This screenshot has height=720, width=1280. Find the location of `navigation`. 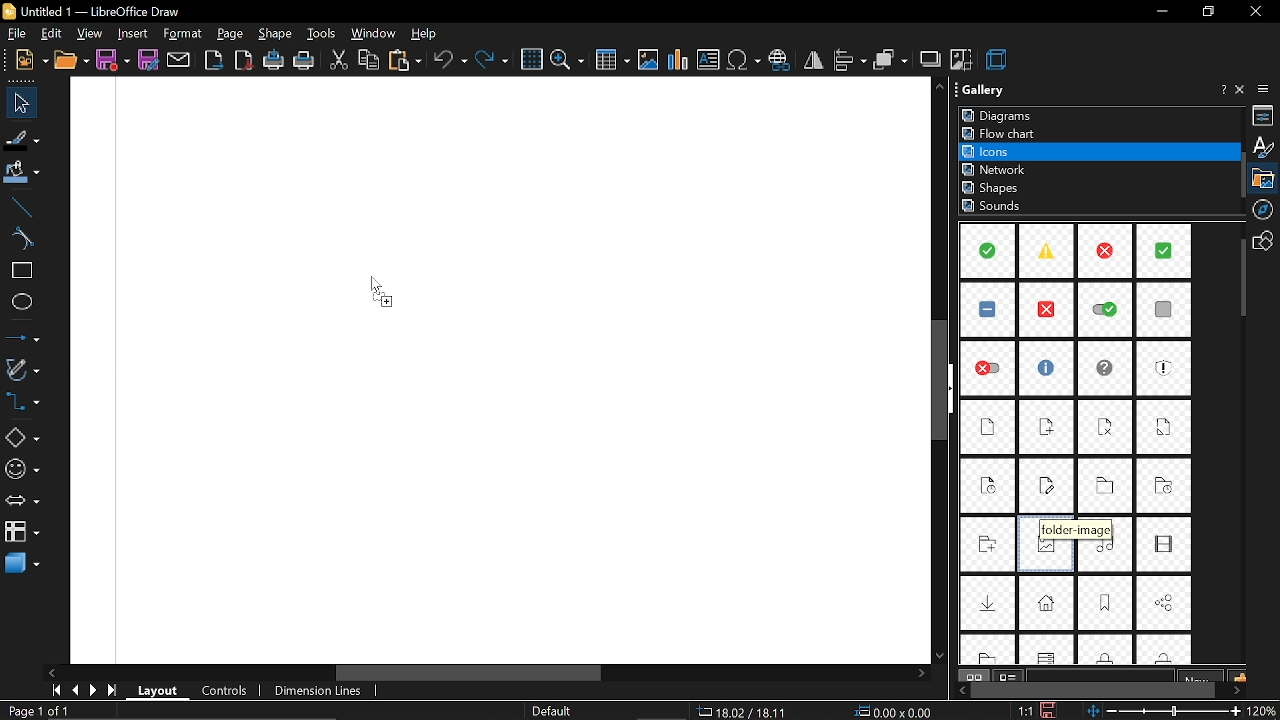

navigation is located at coordinates (1266, 209).